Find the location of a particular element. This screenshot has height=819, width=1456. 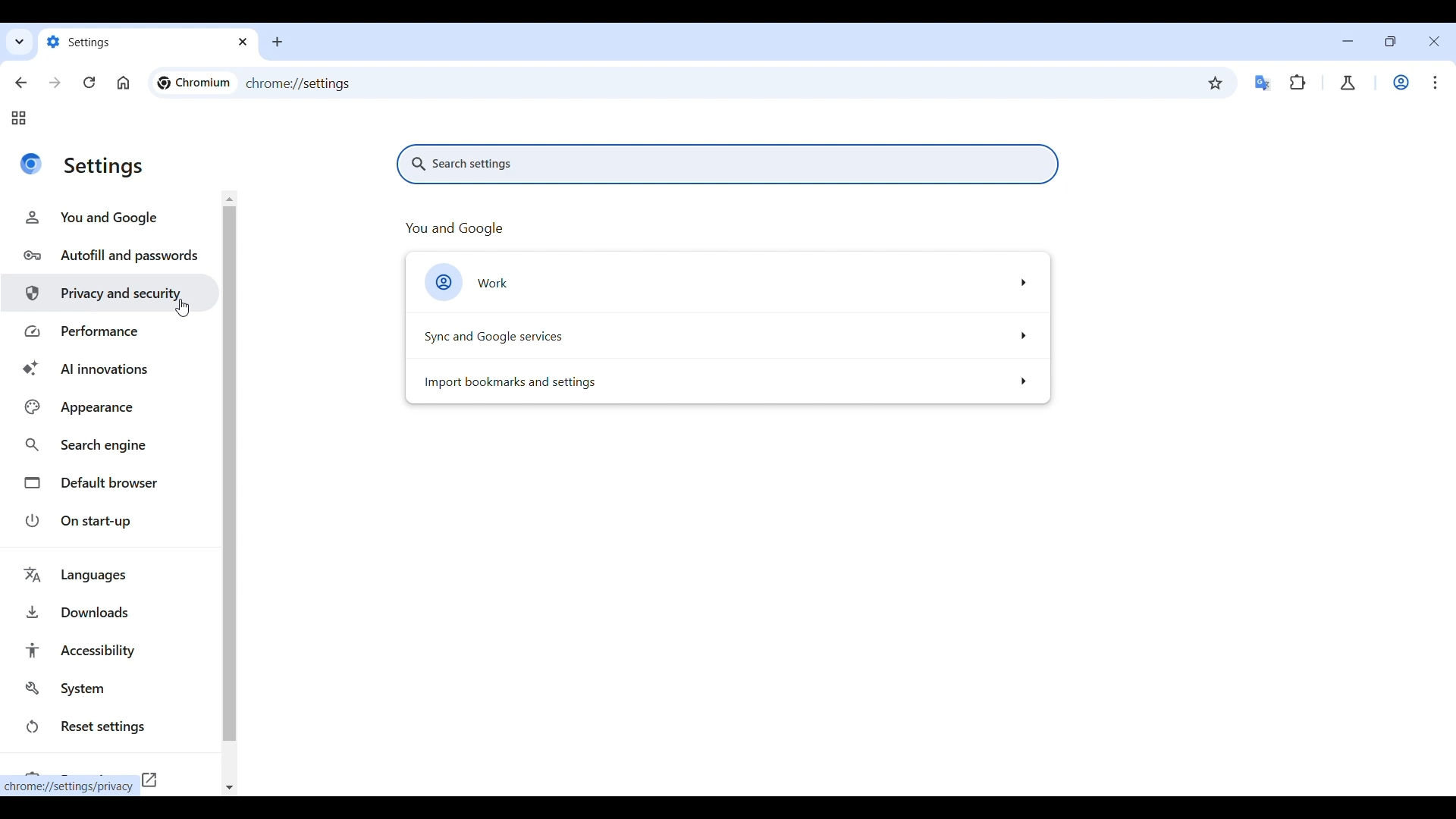

Performance is located at coordinates (111, 332).